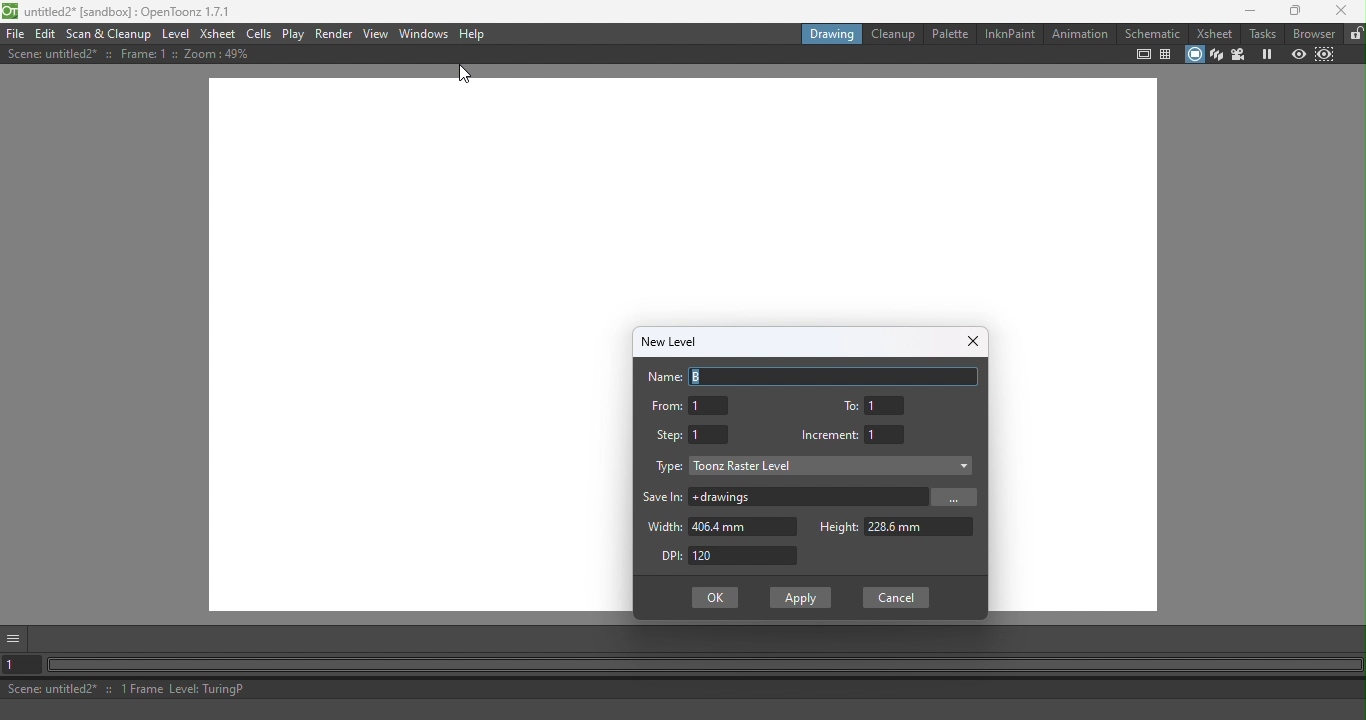 This screenshot has width=1366, height=720. I want to click on 1, so click(711, 435).